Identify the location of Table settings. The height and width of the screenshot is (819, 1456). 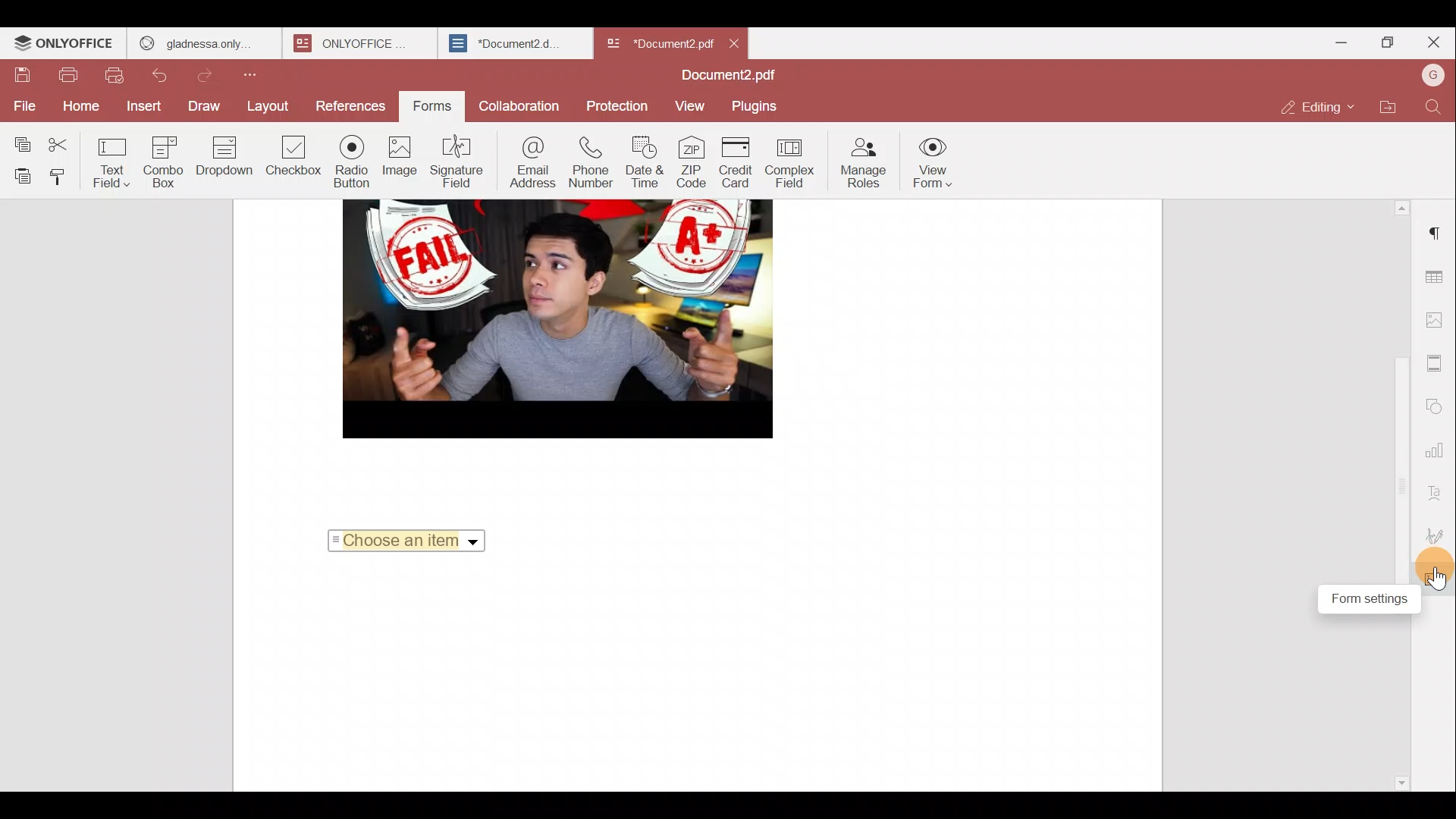
(1439, 277).